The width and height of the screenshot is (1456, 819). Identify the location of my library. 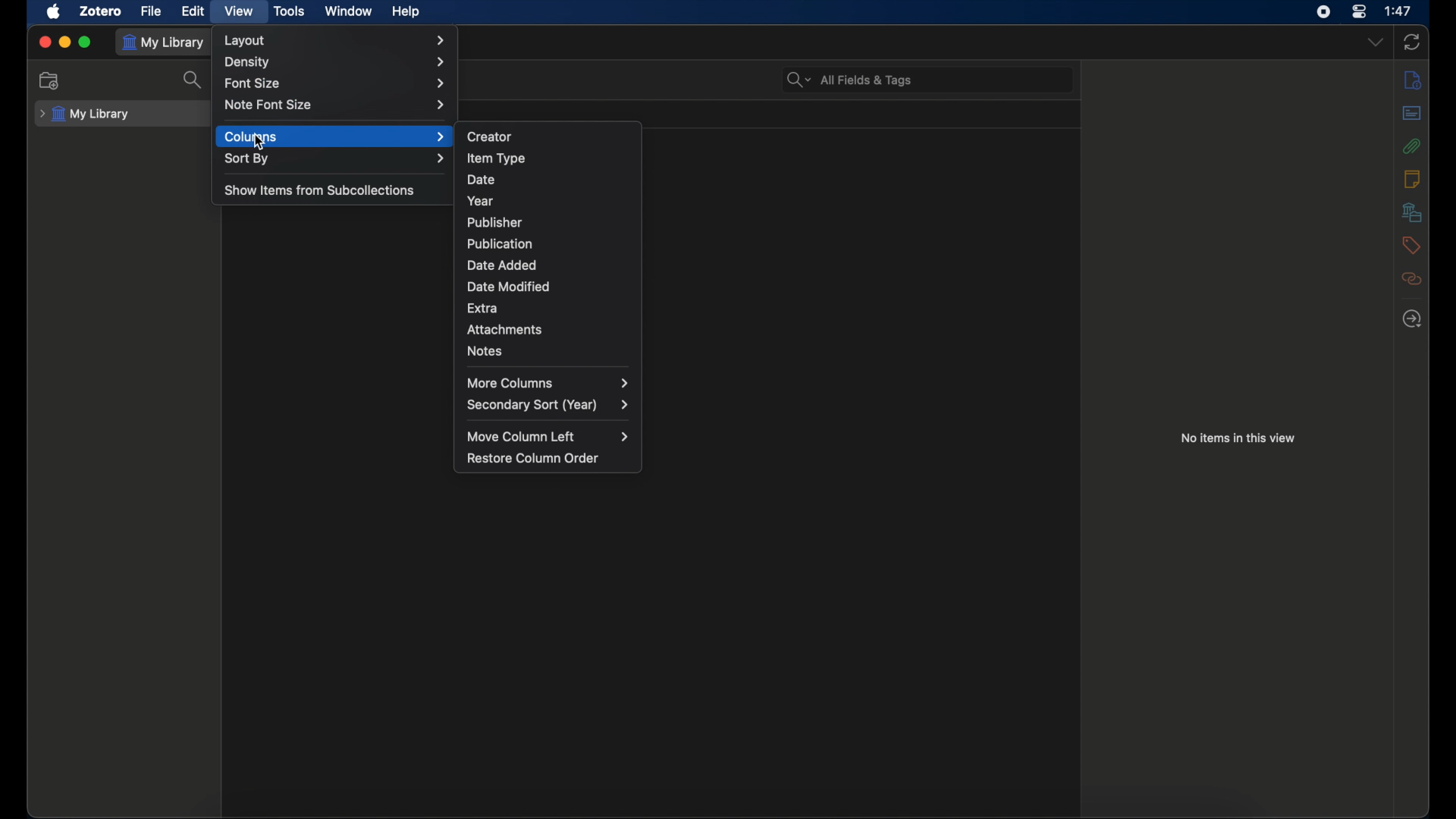
(88, 115).